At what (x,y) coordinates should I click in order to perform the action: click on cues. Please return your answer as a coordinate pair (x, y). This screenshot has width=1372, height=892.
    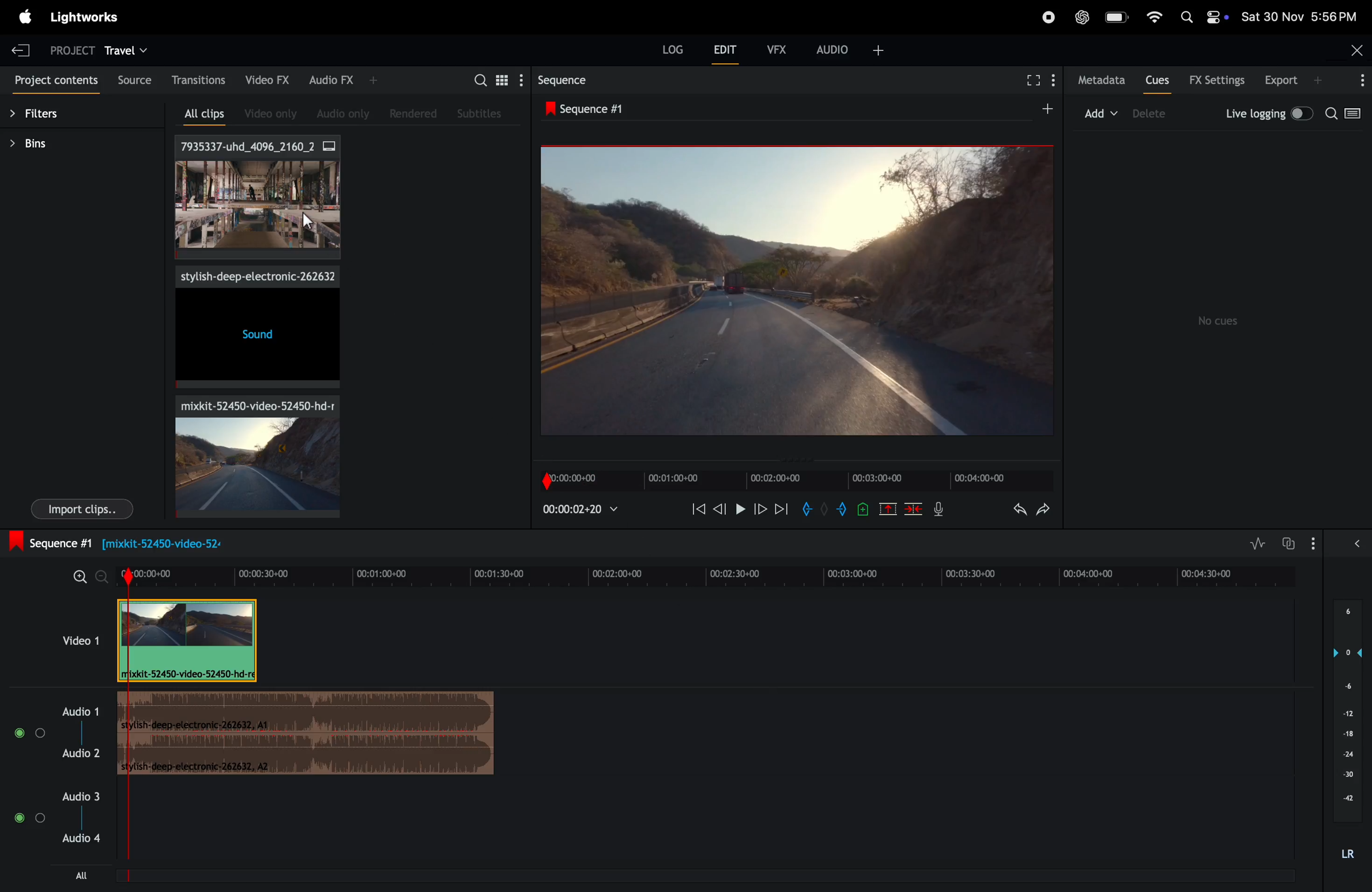
    Looking at the image, I should click on (1157, 82).